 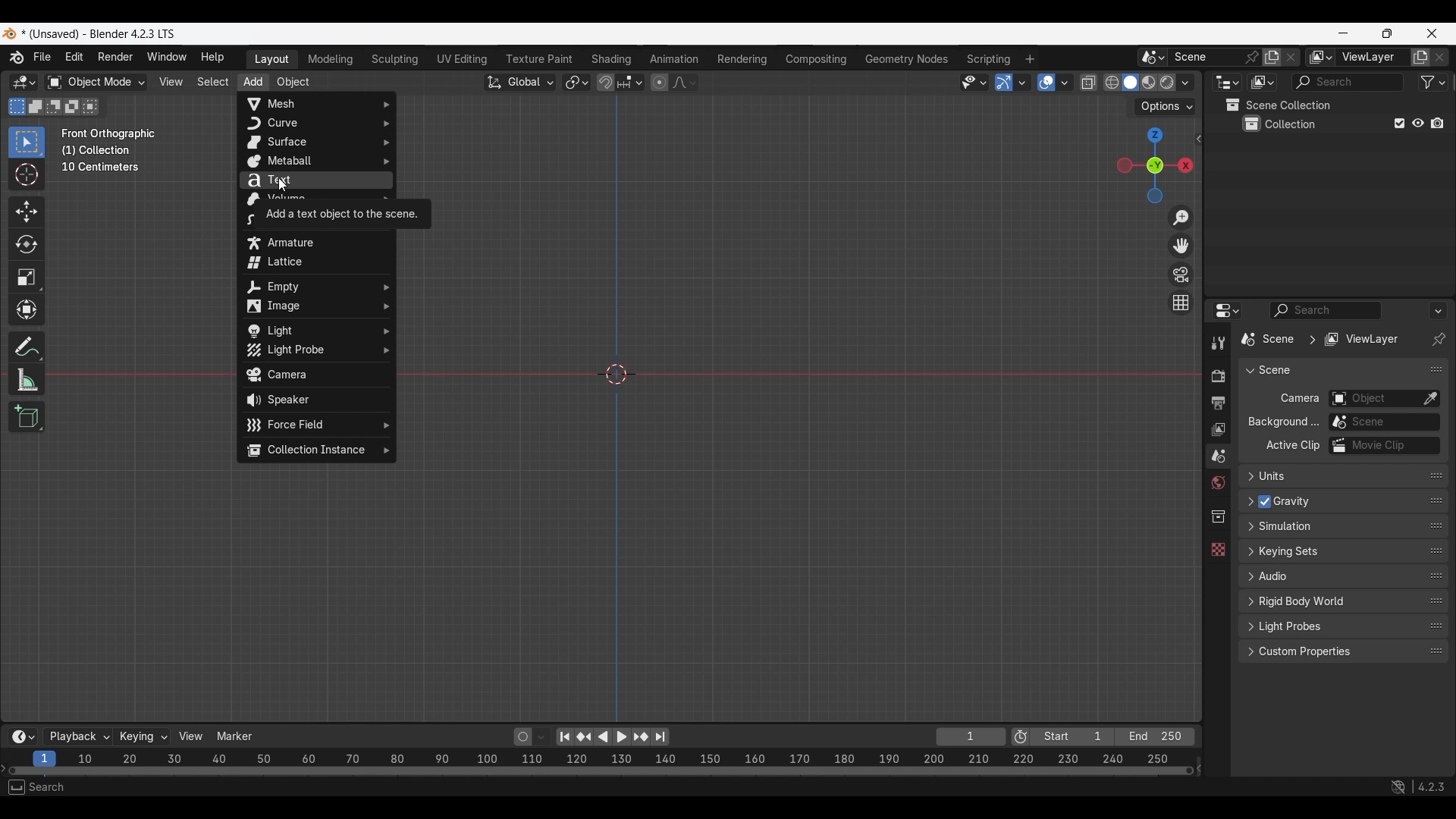 I want to click on ow Background..., so click(x=1281, y=422).